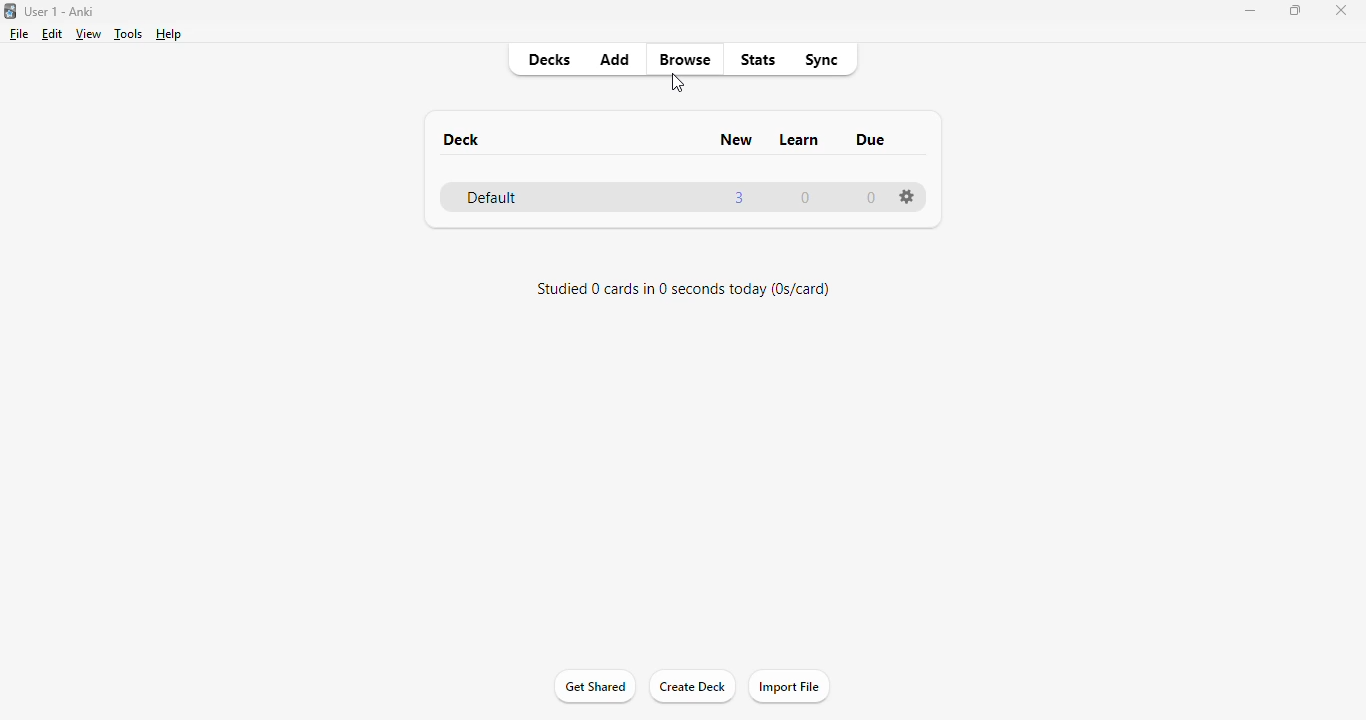 The width and height of the screenshot is (1366, 720). What do you see at coordinates (52, 34) in the screenshot?
I see `edit` at bounding box center [52, 34].